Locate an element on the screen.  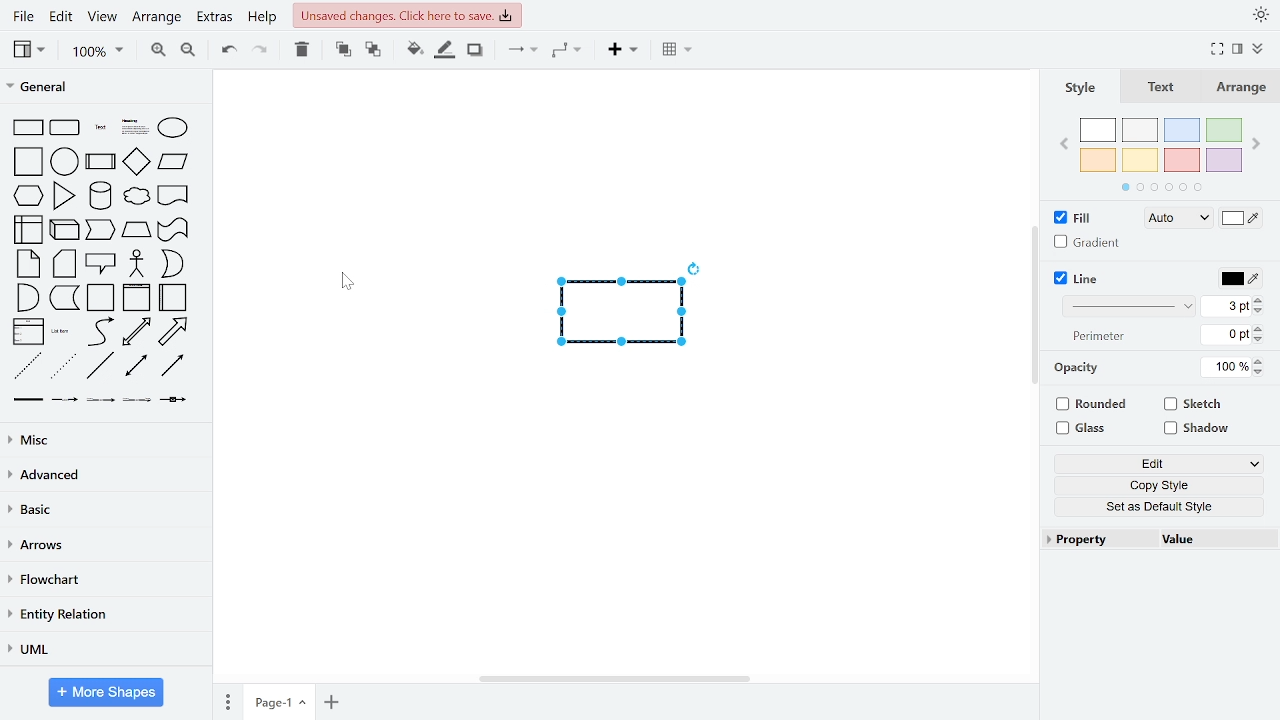
general shapes is located at coordinates (100, 365).